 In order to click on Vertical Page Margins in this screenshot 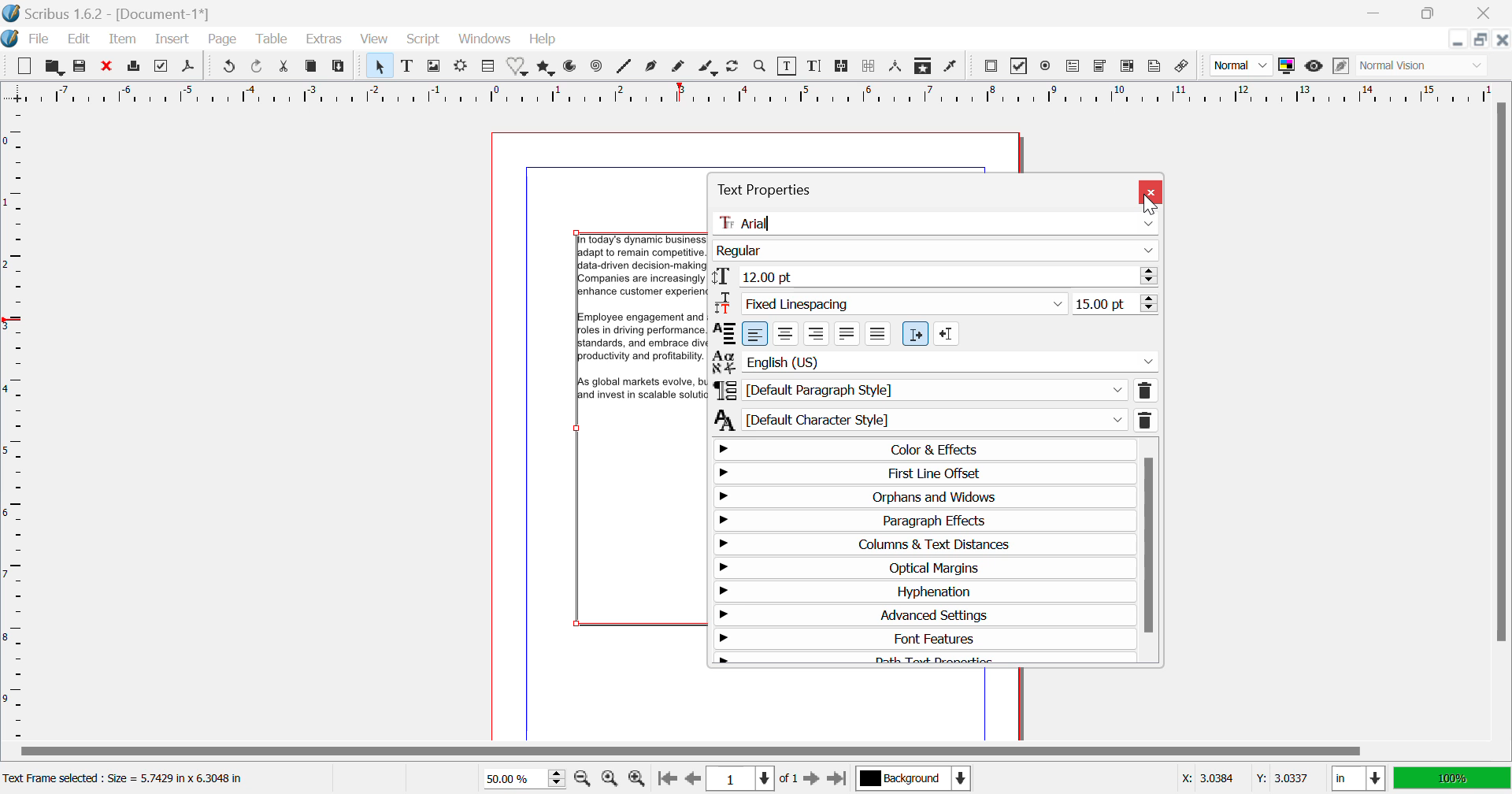, I will do `click(752, 91)`.